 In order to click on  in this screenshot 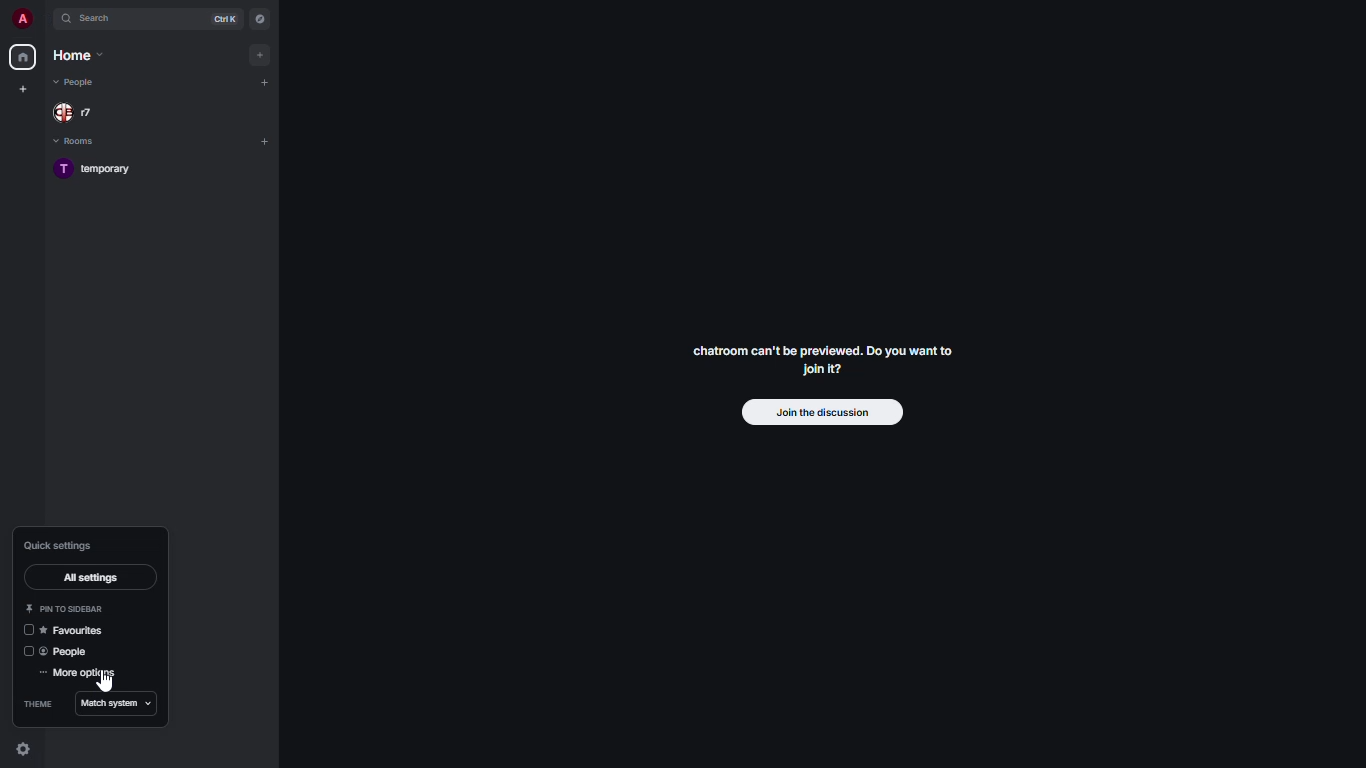, I will do `click(93, 576)`.